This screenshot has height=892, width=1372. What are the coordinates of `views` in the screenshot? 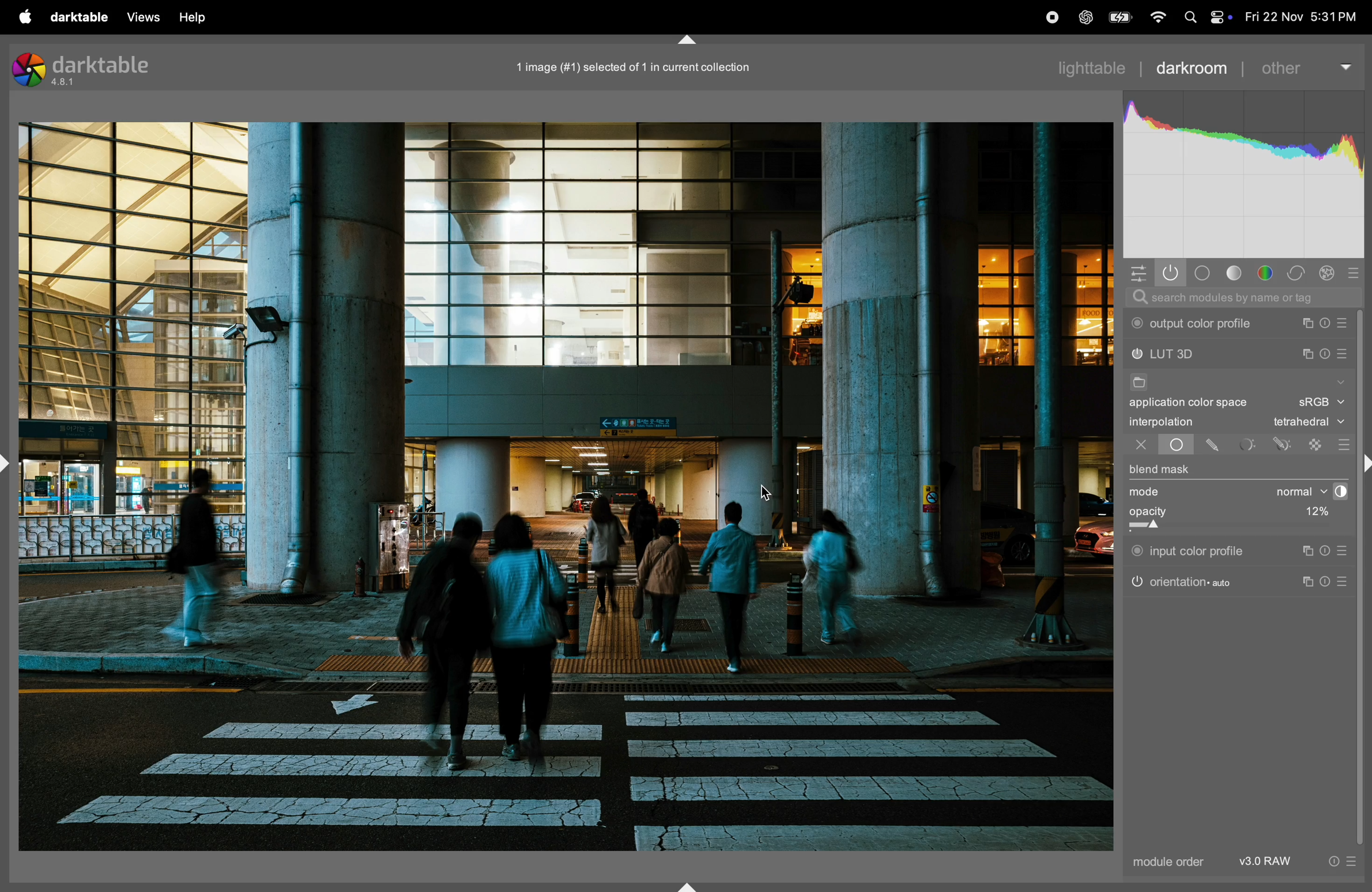 It's located at (140, 17).